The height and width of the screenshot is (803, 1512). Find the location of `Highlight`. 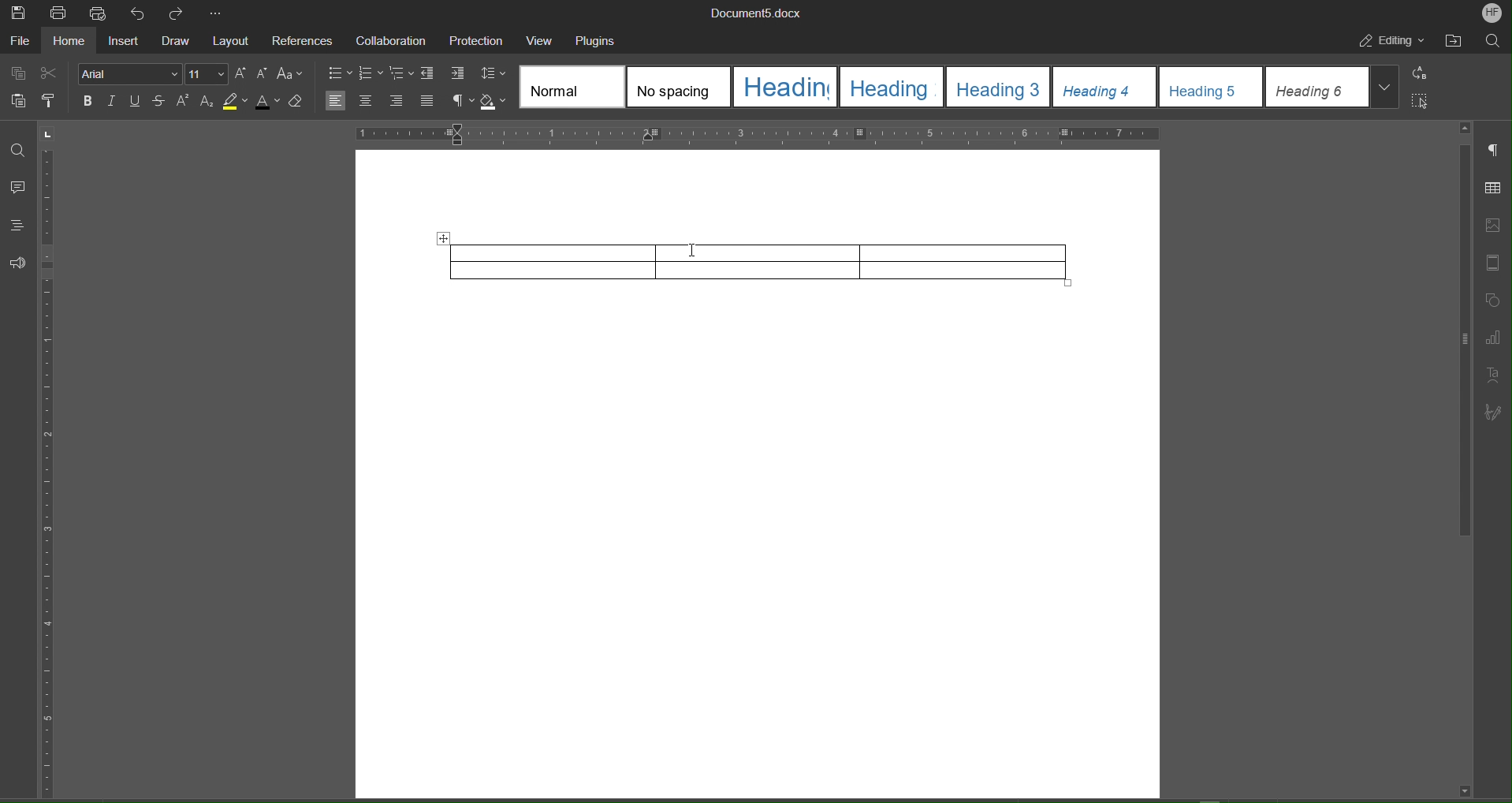

Highlight is located at coordinates (236, 101).